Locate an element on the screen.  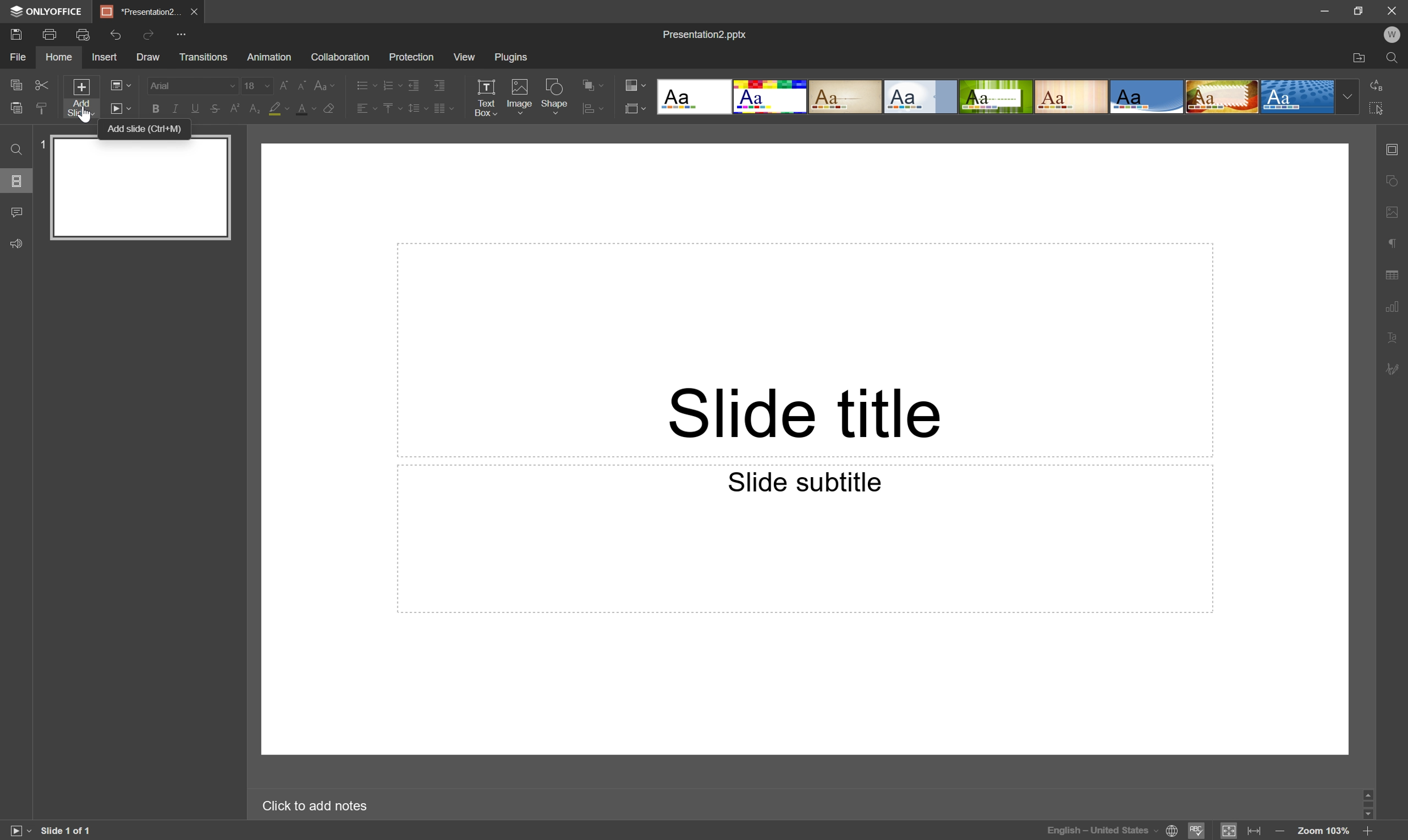
Font is located at coordinates (191, 85).